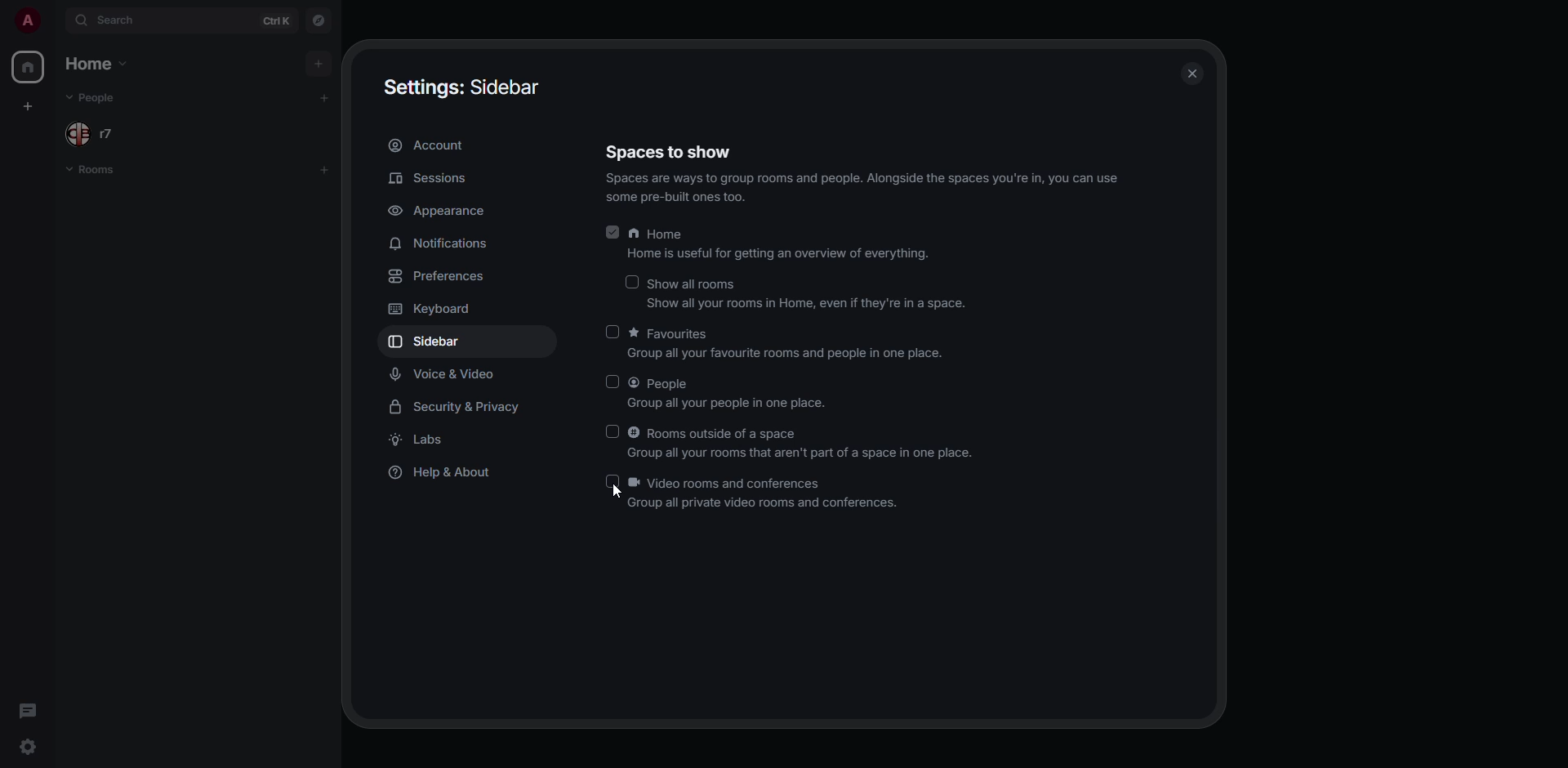  I want to click on * Favourites
Group all your favourite rooms and people in one place., so click(790, 345).